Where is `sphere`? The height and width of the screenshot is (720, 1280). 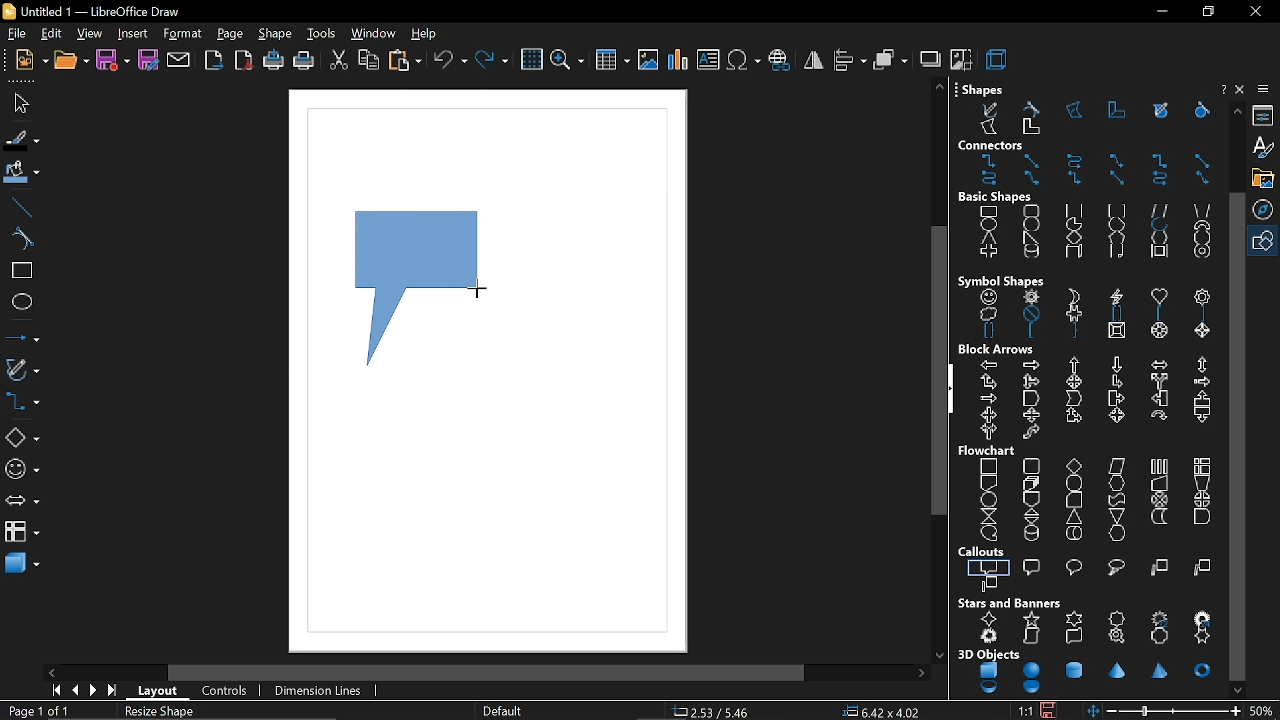
sphere is located at coordinates (1031, 670).